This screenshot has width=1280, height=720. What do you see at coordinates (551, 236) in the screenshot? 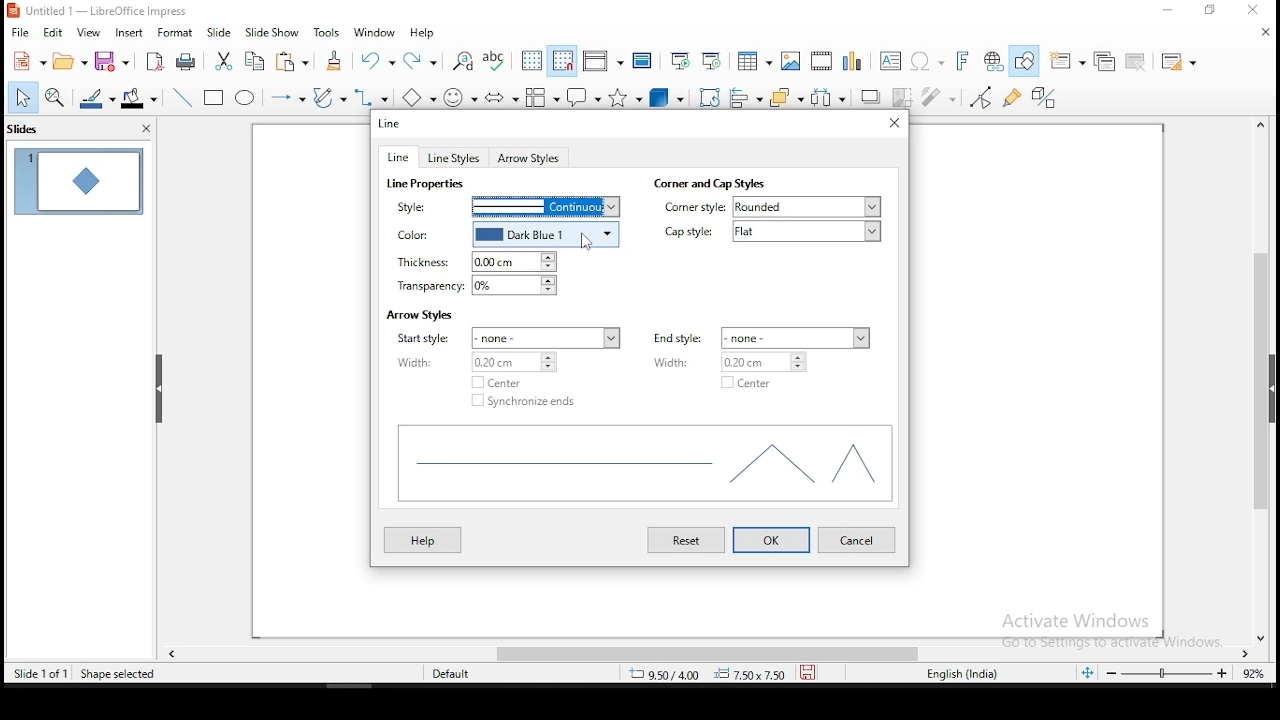
I see `dark blue` at bounding box center [551, 236].